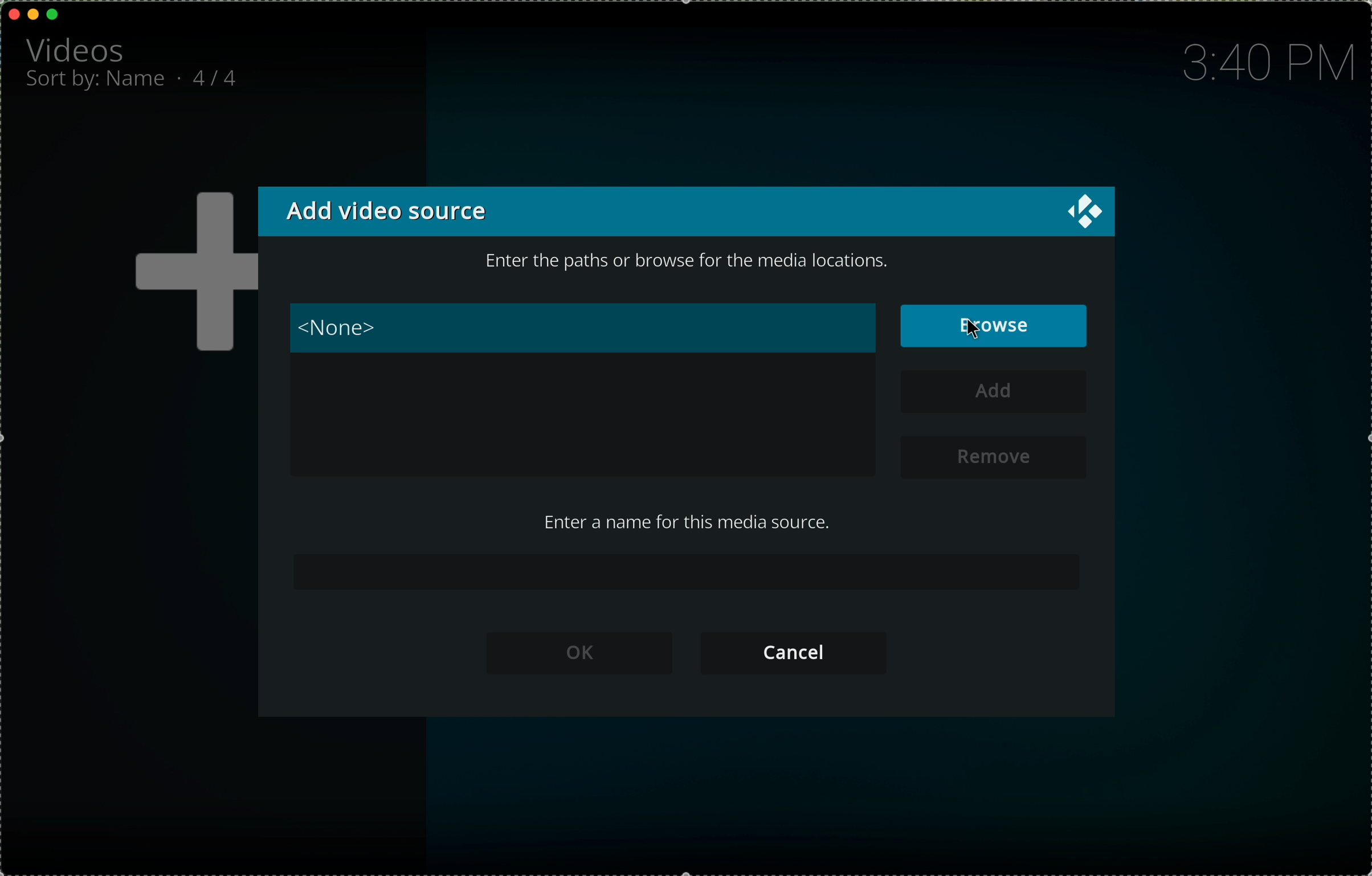  Describe the element at coordinates (182, 77) in the screenshot. I see `.` at that location.